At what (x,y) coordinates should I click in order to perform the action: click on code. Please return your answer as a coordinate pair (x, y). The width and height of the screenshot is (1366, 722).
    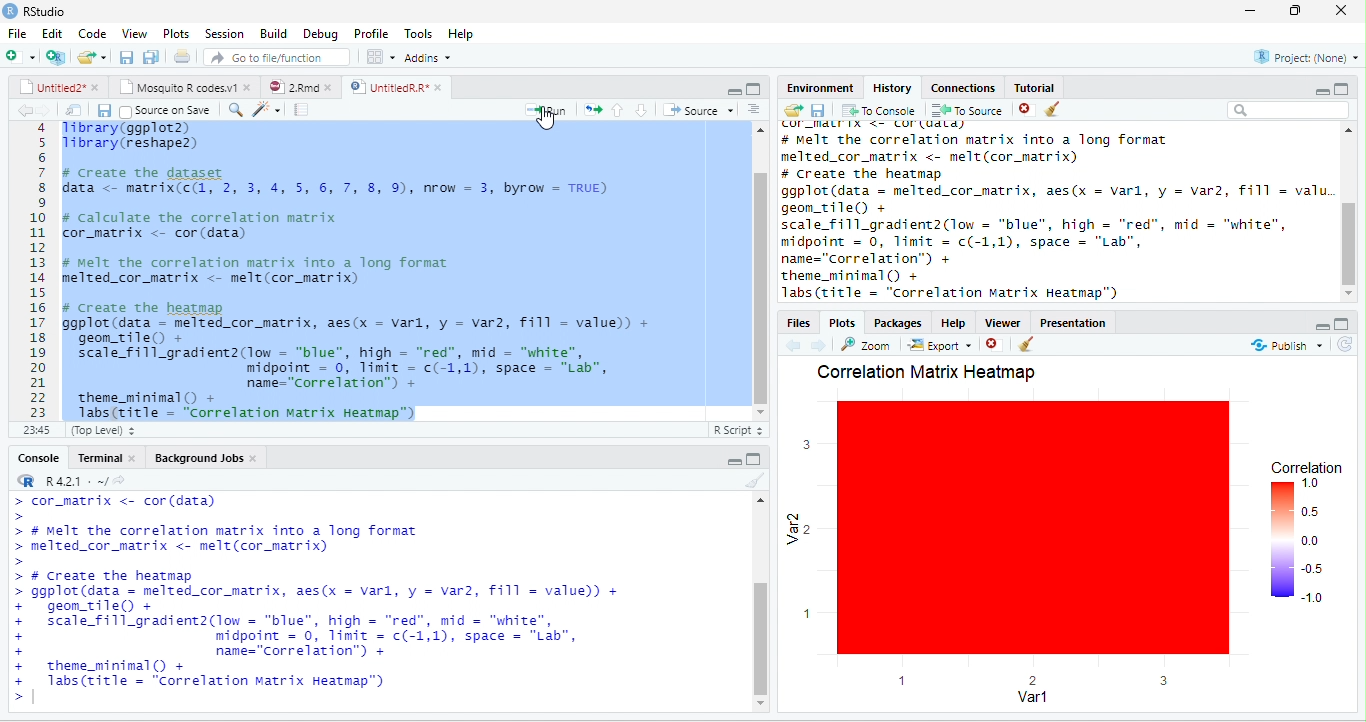
    Looking at the image, I should click on (92, 34).